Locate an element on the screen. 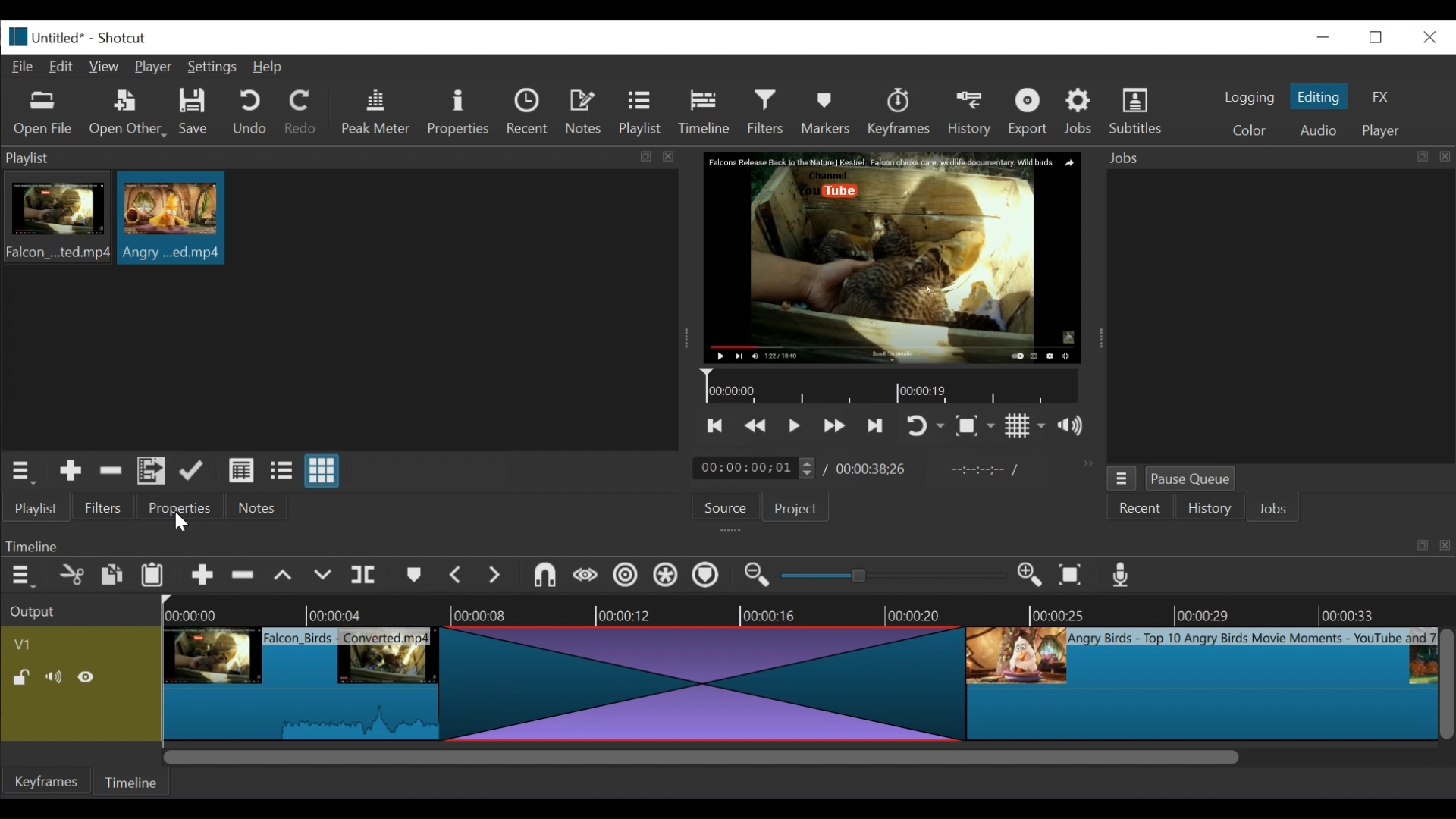  Hide is located at coordinates (90, 677).